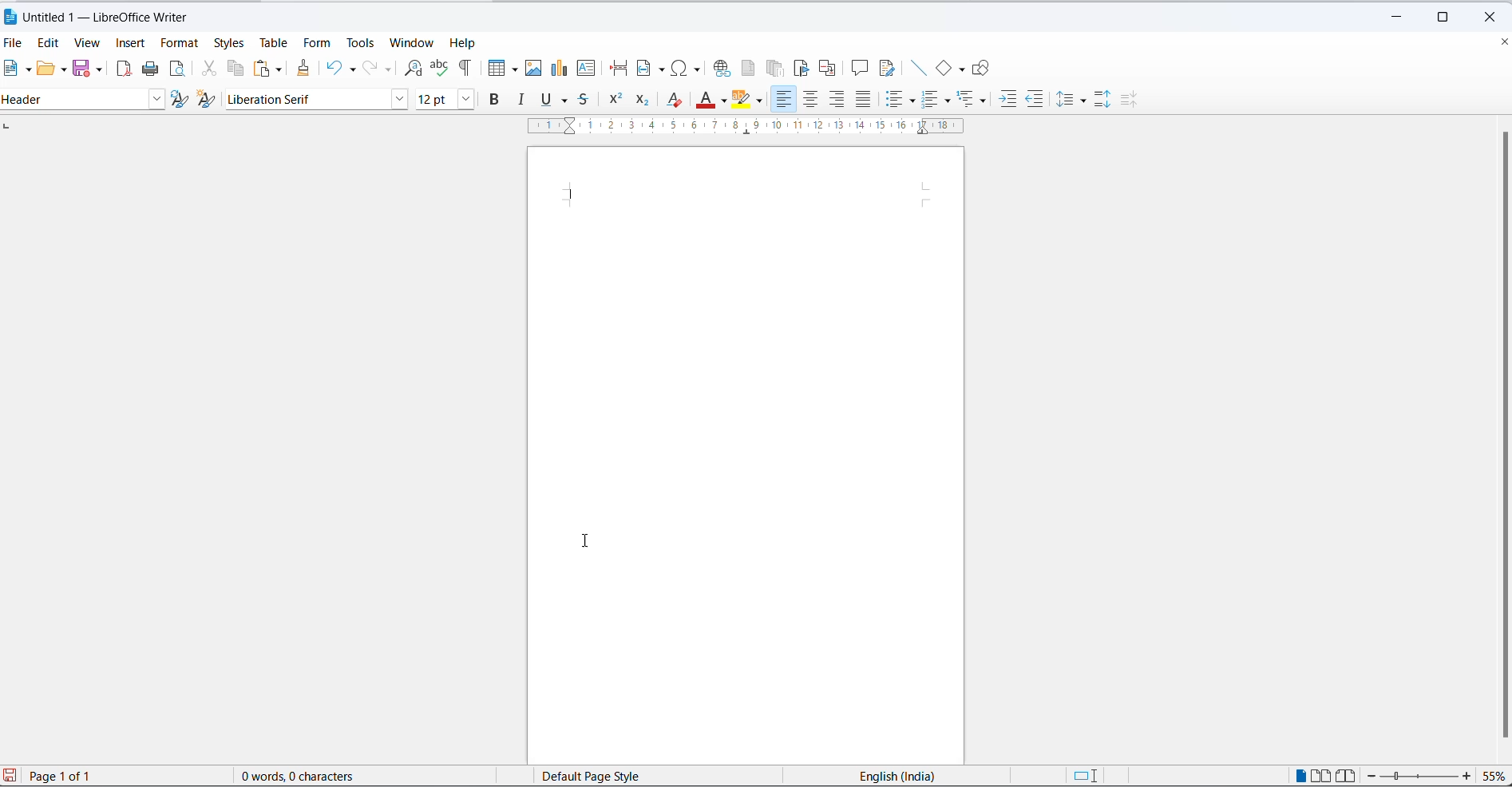  What do you see at coordinates (362, 43) in the screenshot?
I see `tools` at bounding box center [362, 43].